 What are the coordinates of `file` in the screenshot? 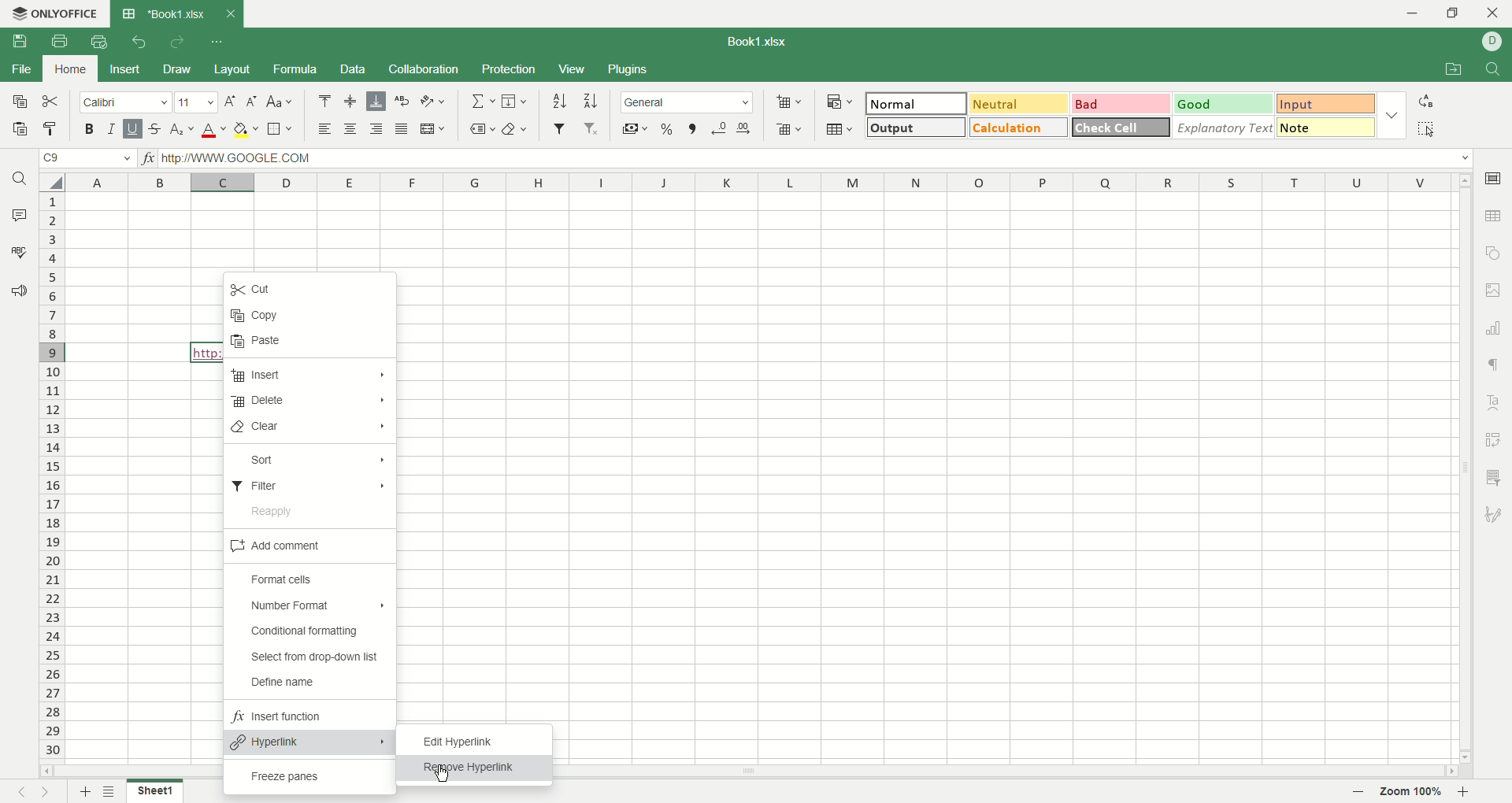 It's located at (22, 72).